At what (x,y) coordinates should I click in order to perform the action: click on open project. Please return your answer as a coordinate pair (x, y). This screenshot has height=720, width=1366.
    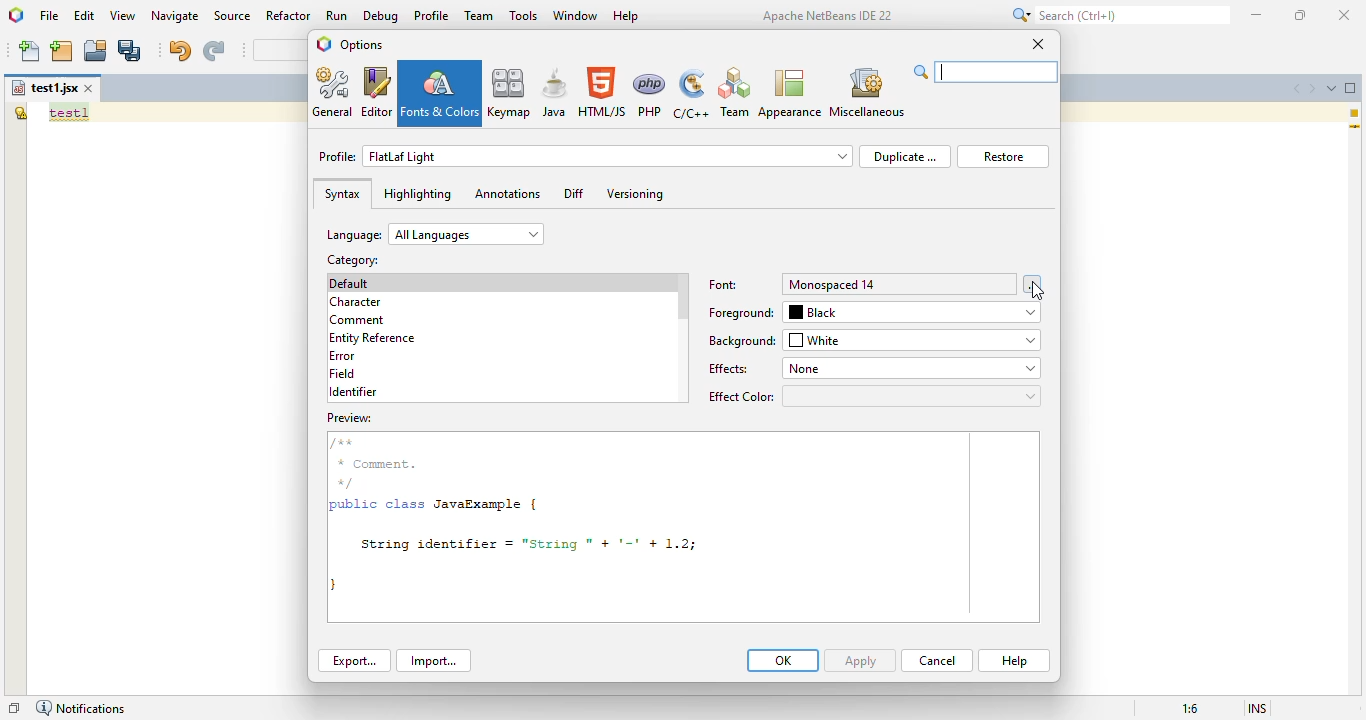
    Looking at the image, I should click on (96, 51).